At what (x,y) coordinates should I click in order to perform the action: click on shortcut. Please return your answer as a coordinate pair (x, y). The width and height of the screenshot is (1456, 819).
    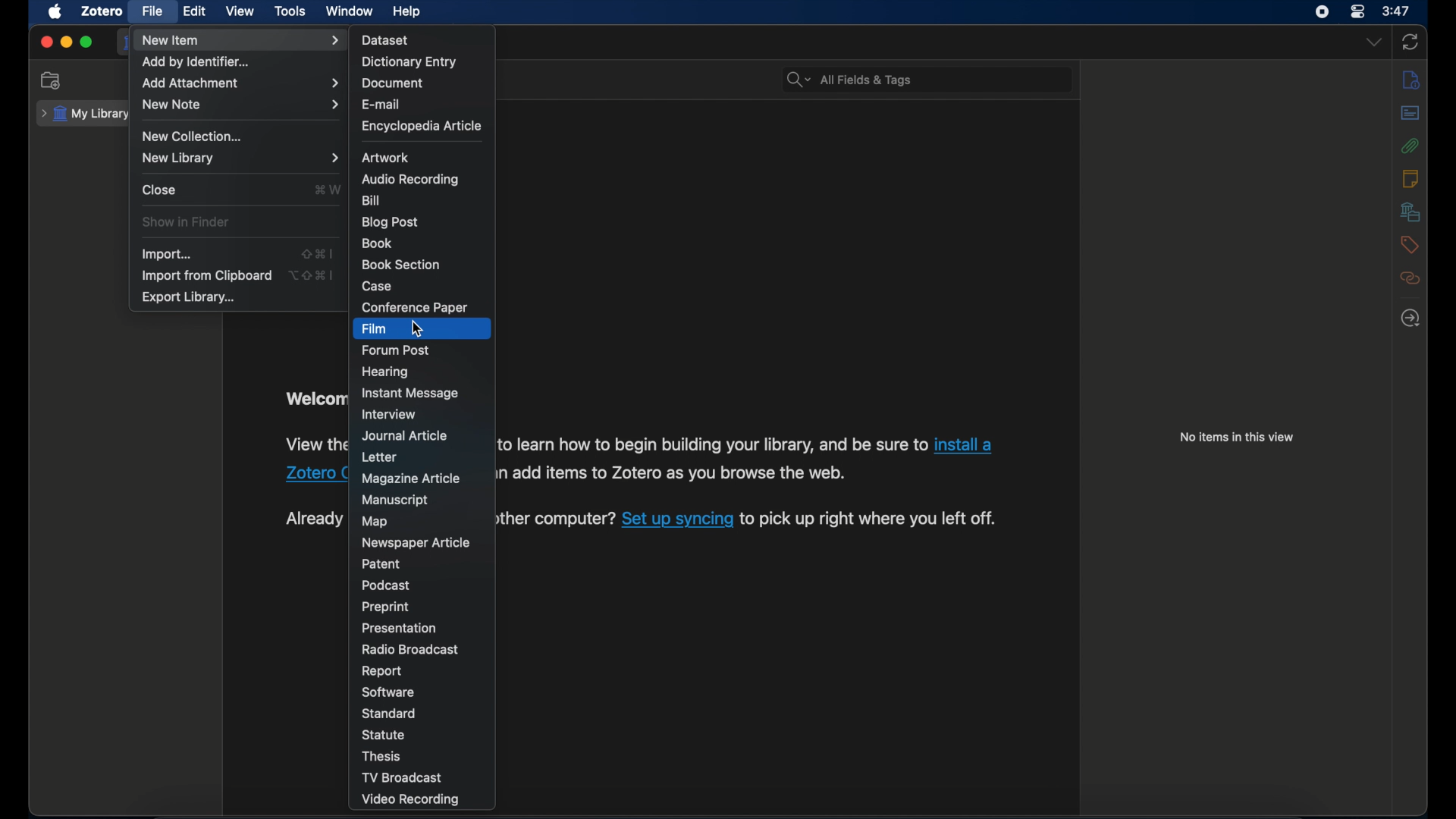
    Looking at the image, I should click on (318, 253).